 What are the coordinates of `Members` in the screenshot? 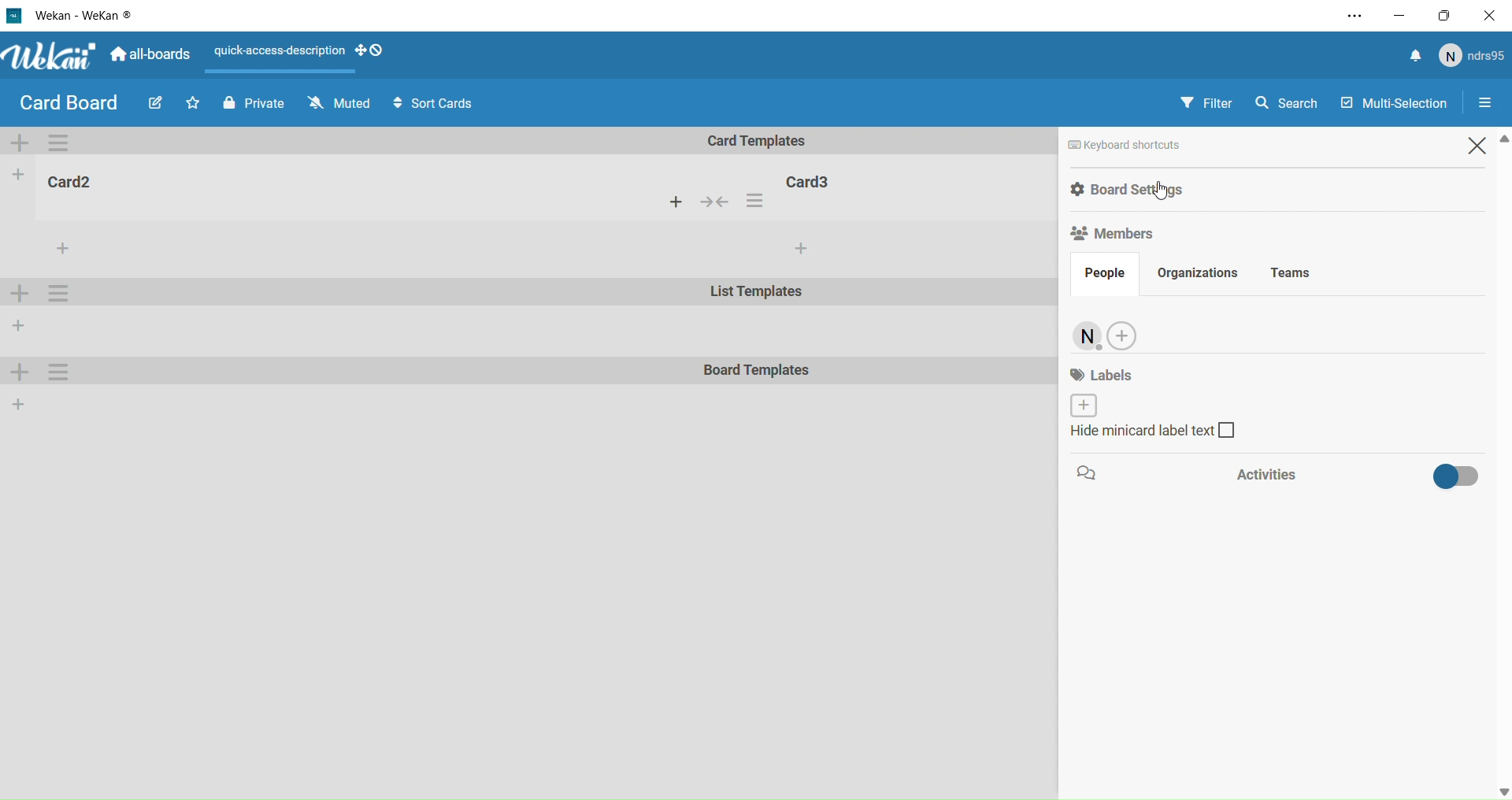 It's located at (1122, 235).